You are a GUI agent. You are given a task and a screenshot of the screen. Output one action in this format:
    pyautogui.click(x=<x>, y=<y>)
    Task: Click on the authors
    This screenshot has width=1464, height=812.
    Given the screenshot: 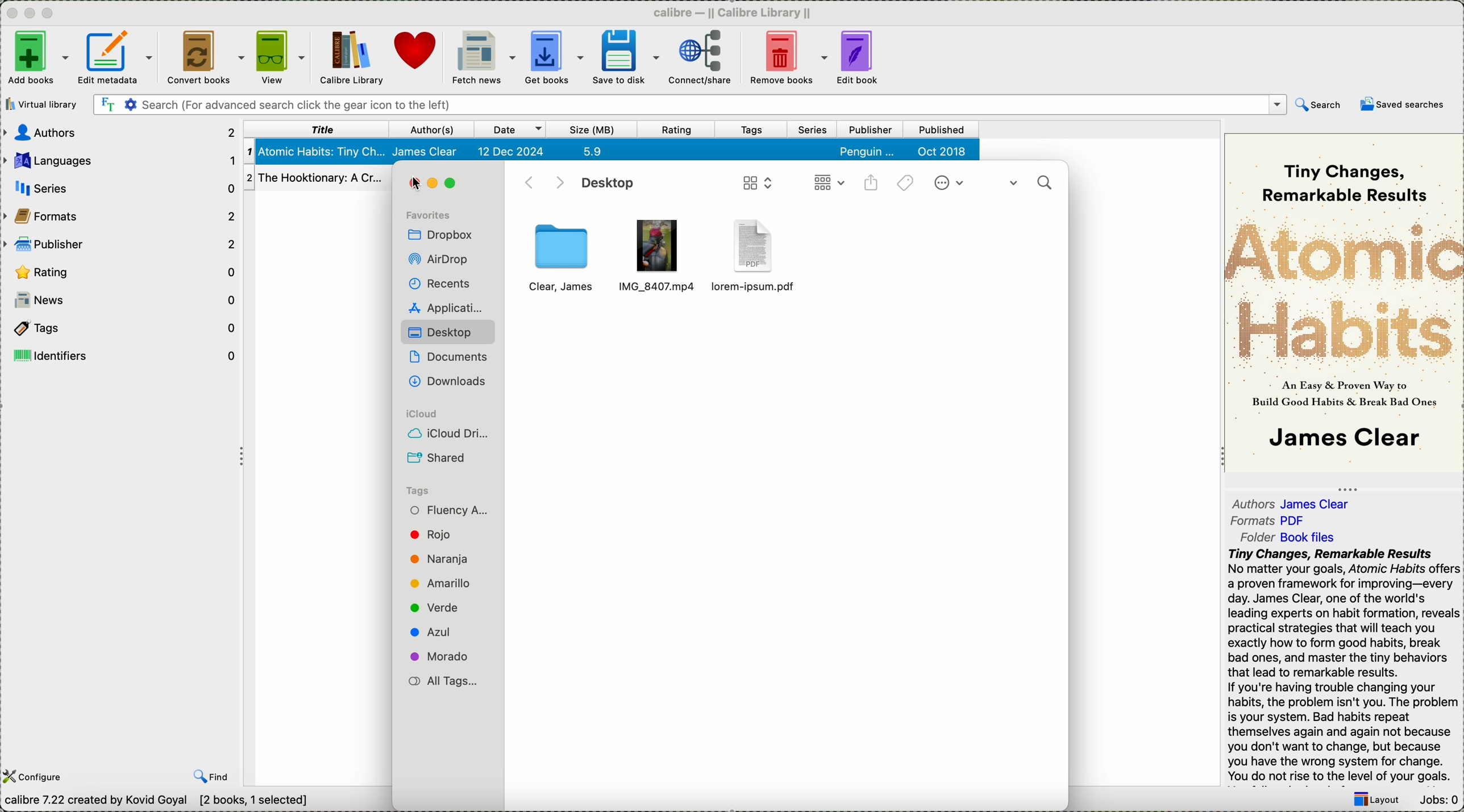 What is the action you would take?
    pyautogui.click(x=118, y=134)
    